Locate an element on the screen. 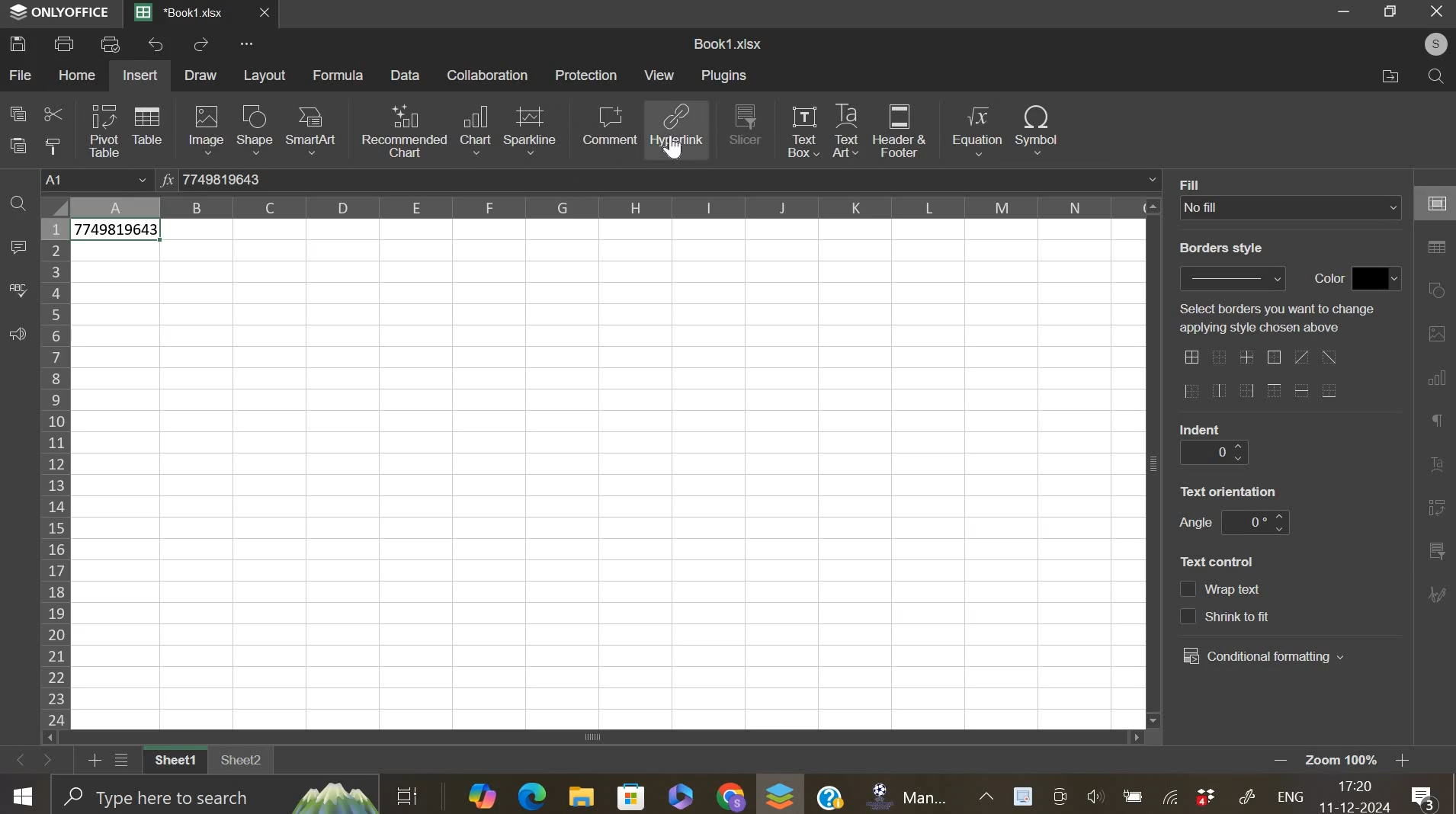  collaboration is located at coordinates (489, 75).